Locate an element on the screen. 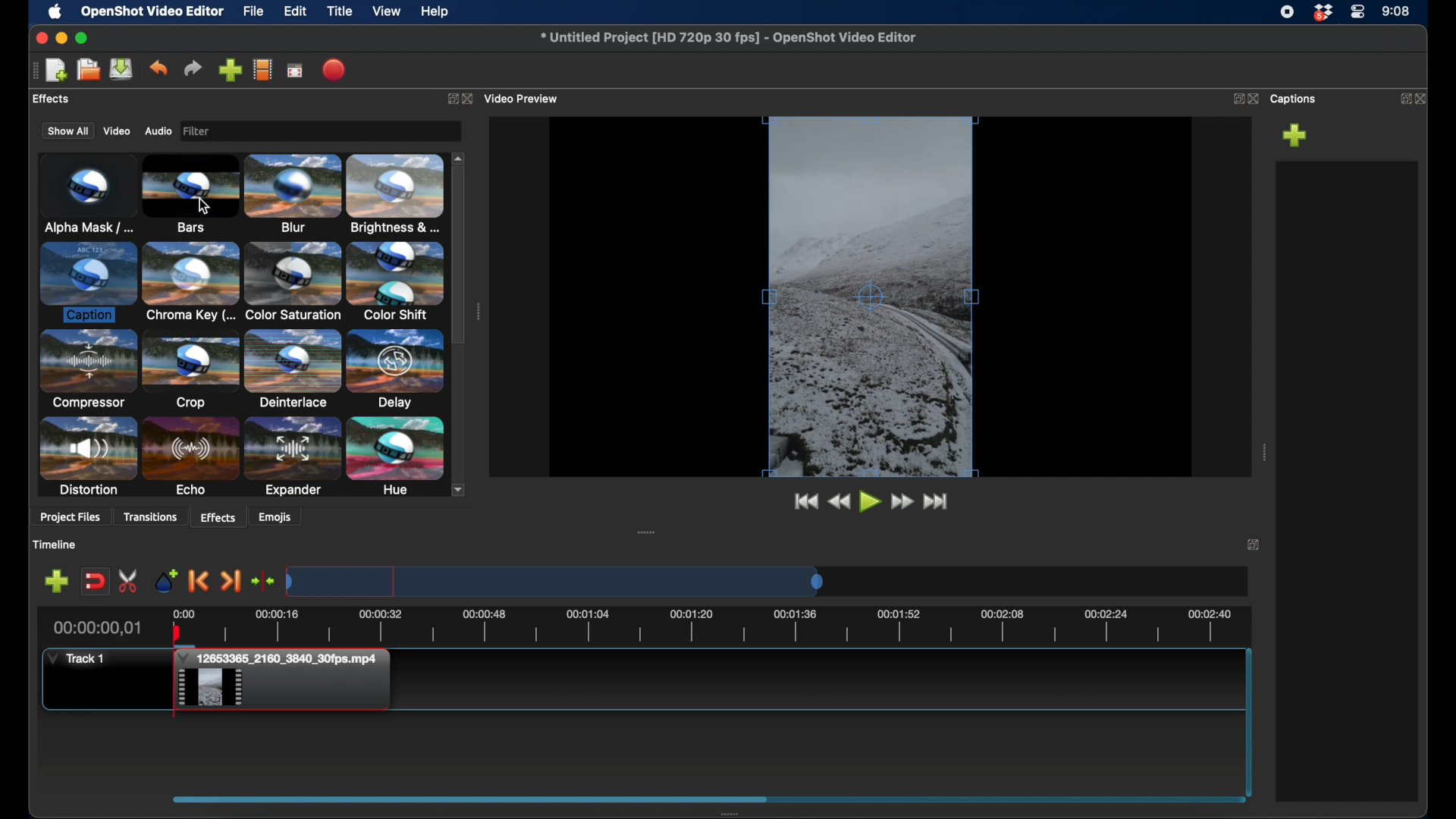 The width and height of the screenshot is (1456, 819). drag handle is located at coordinates (1263, 452).